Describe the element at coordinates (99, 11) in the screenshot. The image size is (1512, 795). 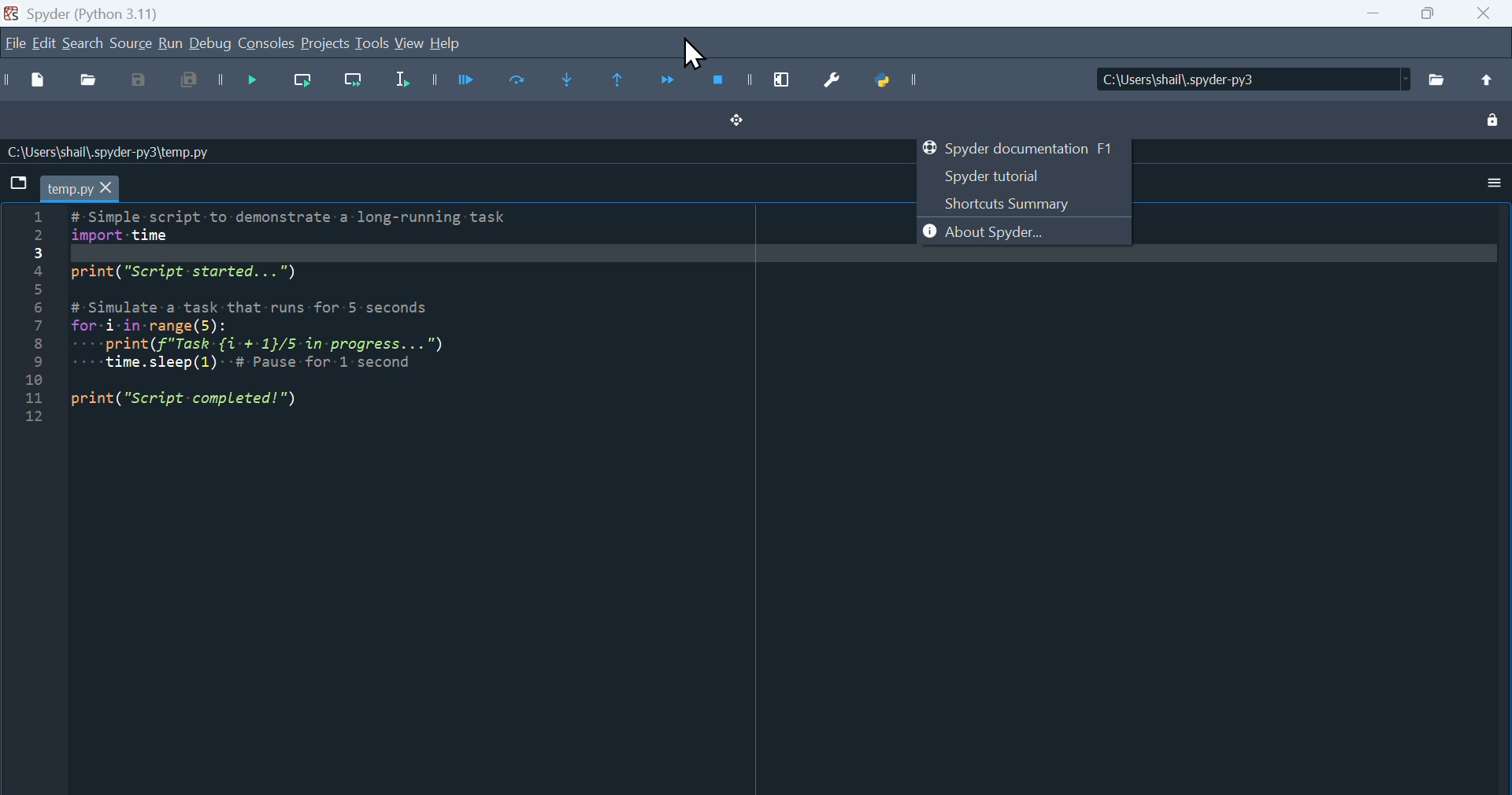
I see `Spider` at that location.